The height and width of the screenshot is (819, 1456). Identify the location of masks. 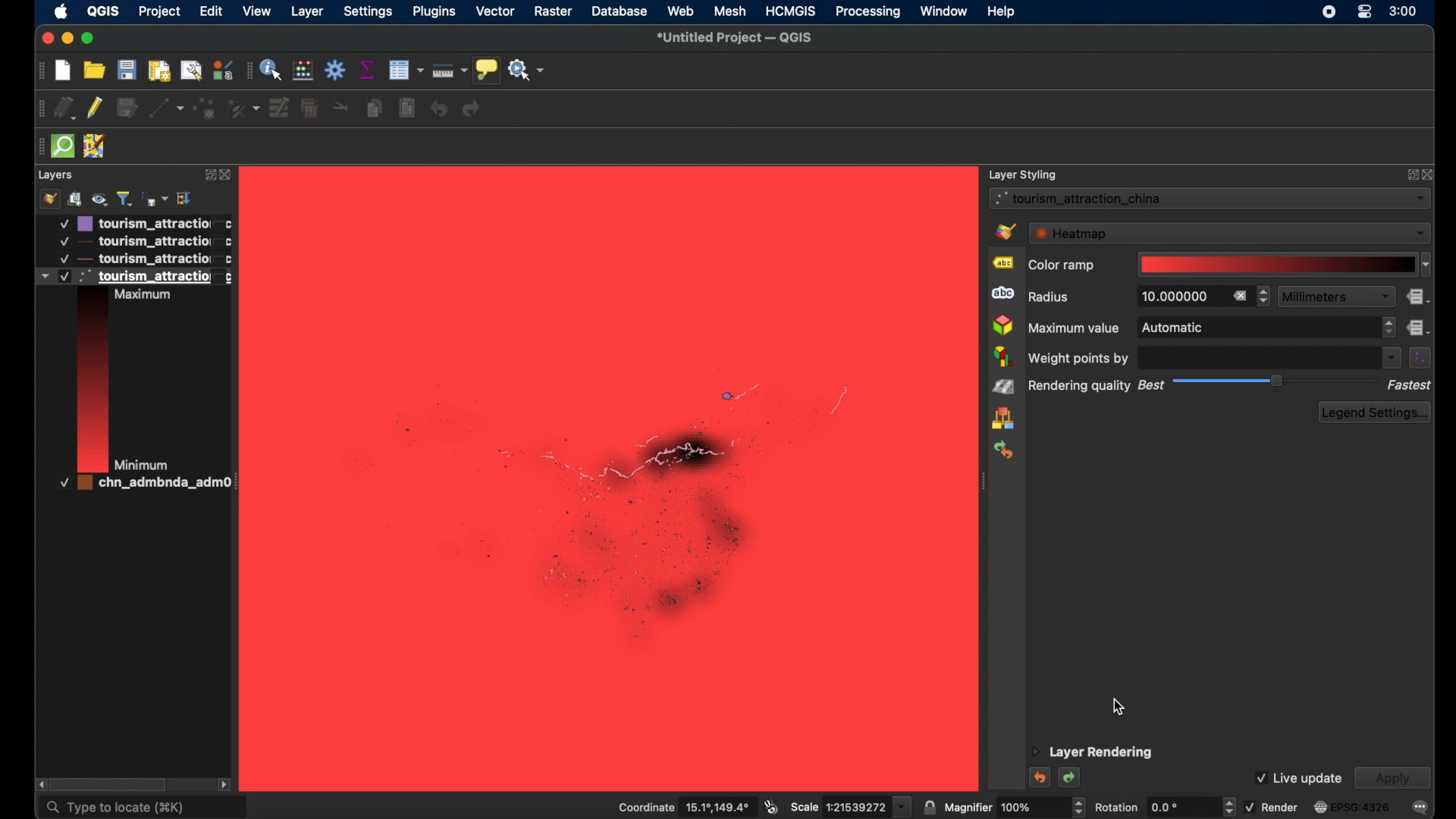
(1001, 294).